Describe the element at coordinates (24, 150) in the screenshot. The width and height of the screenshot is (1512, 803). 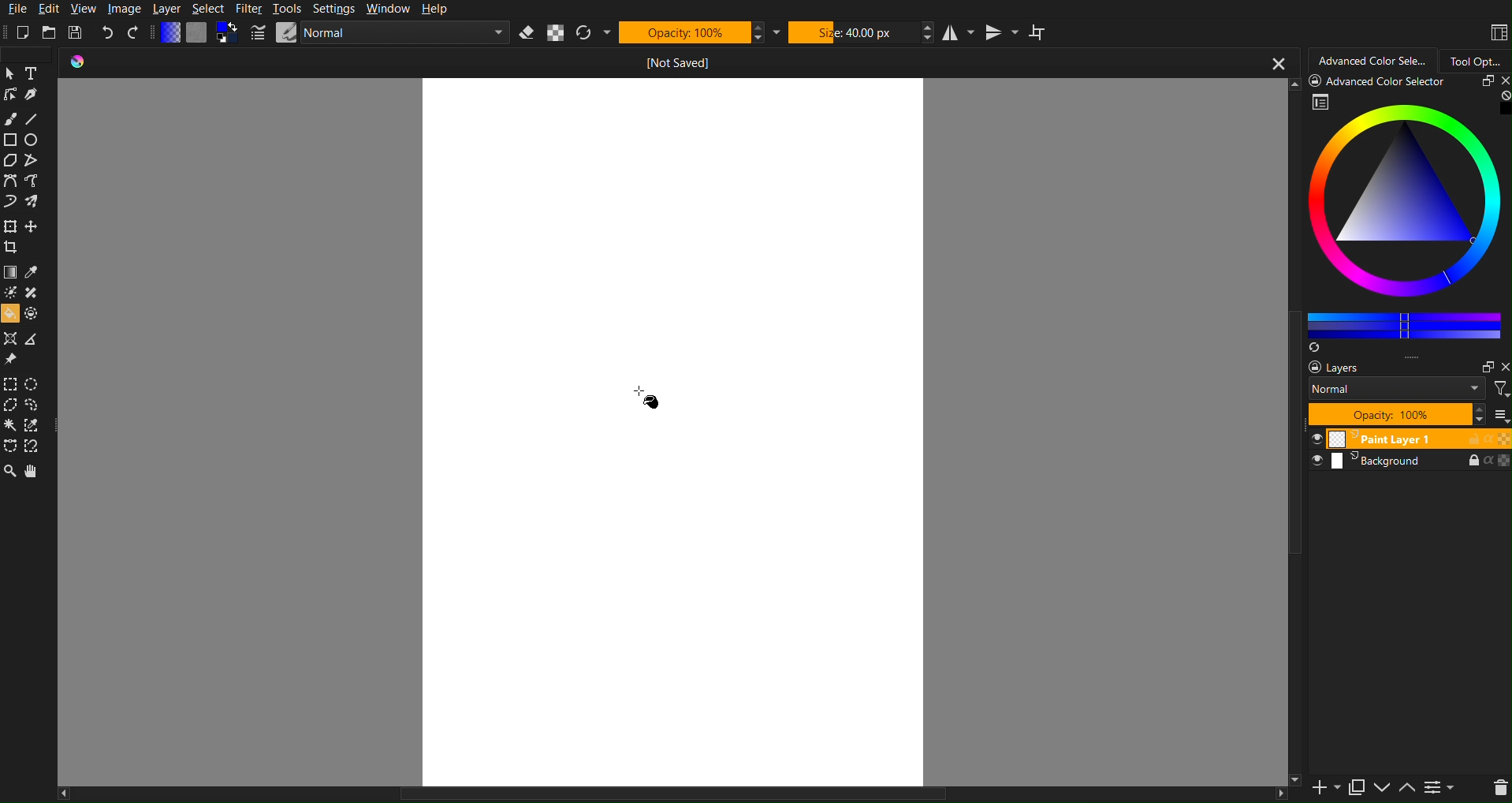
I see `Shape Tools` at that location.